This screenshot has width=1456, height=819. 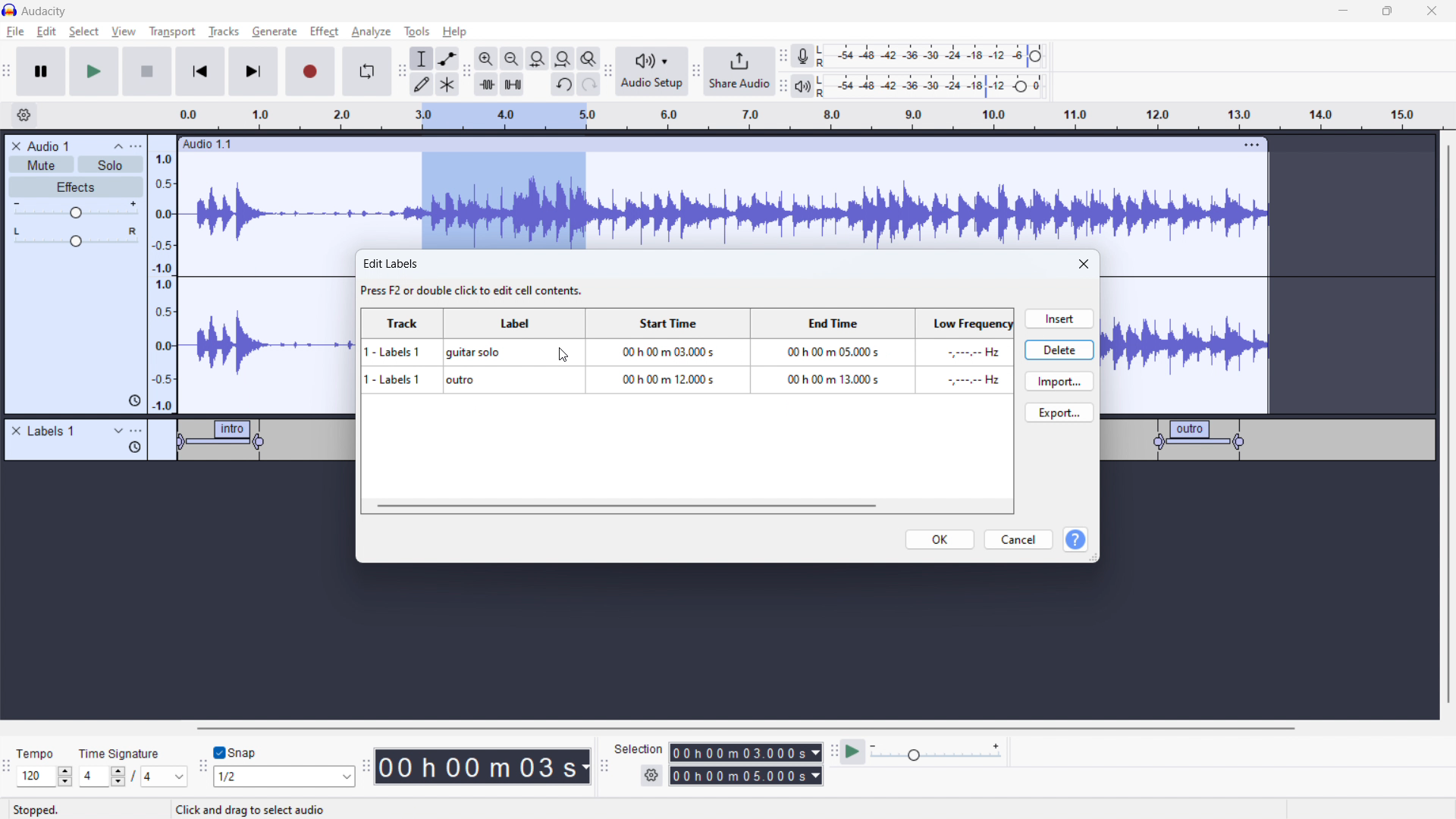 I want to click on generate, so click(x=275, y=31).